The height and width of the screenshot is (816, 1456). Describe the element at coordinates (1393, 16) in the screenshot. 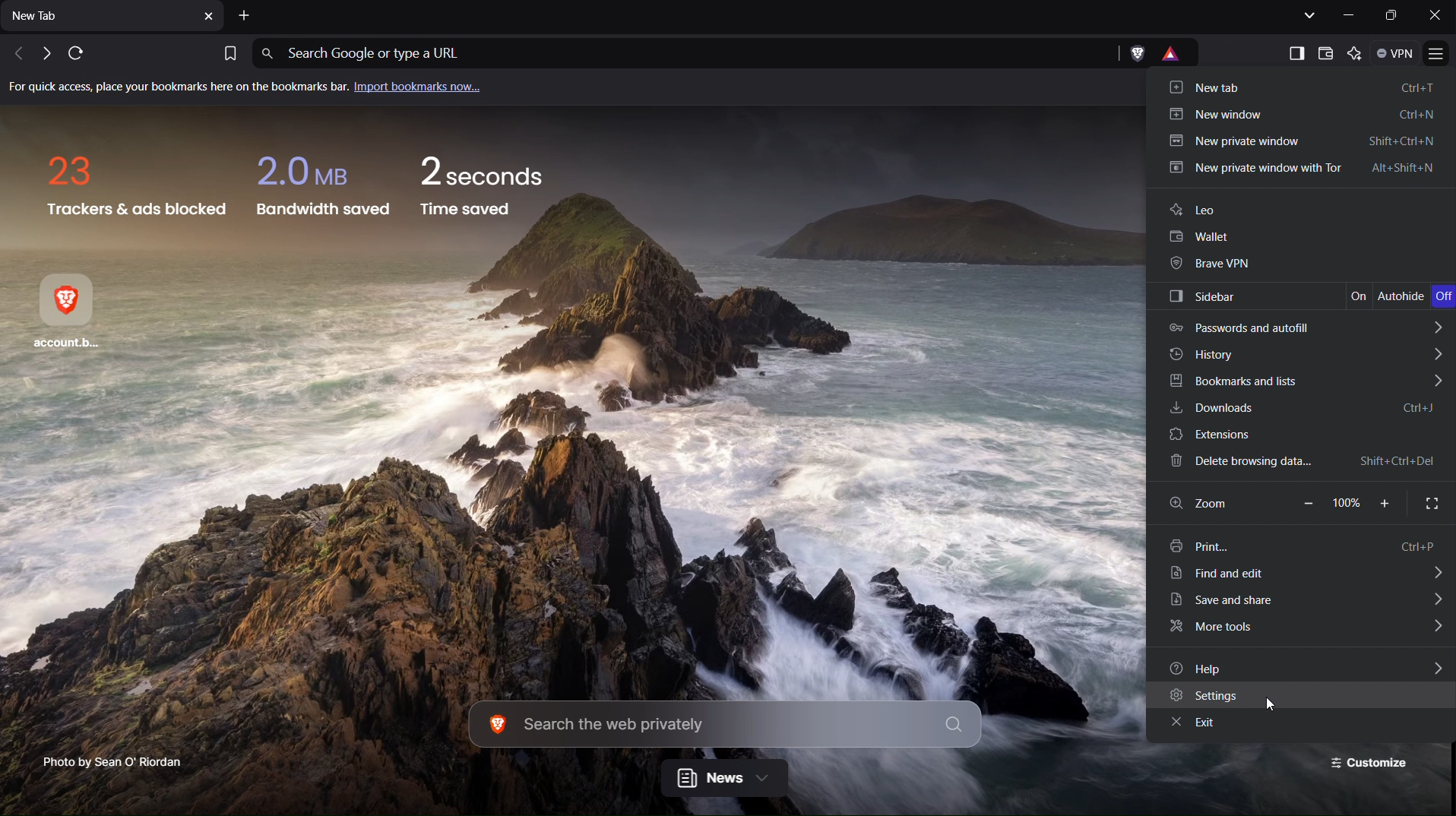

I see `Maximize` at that location.